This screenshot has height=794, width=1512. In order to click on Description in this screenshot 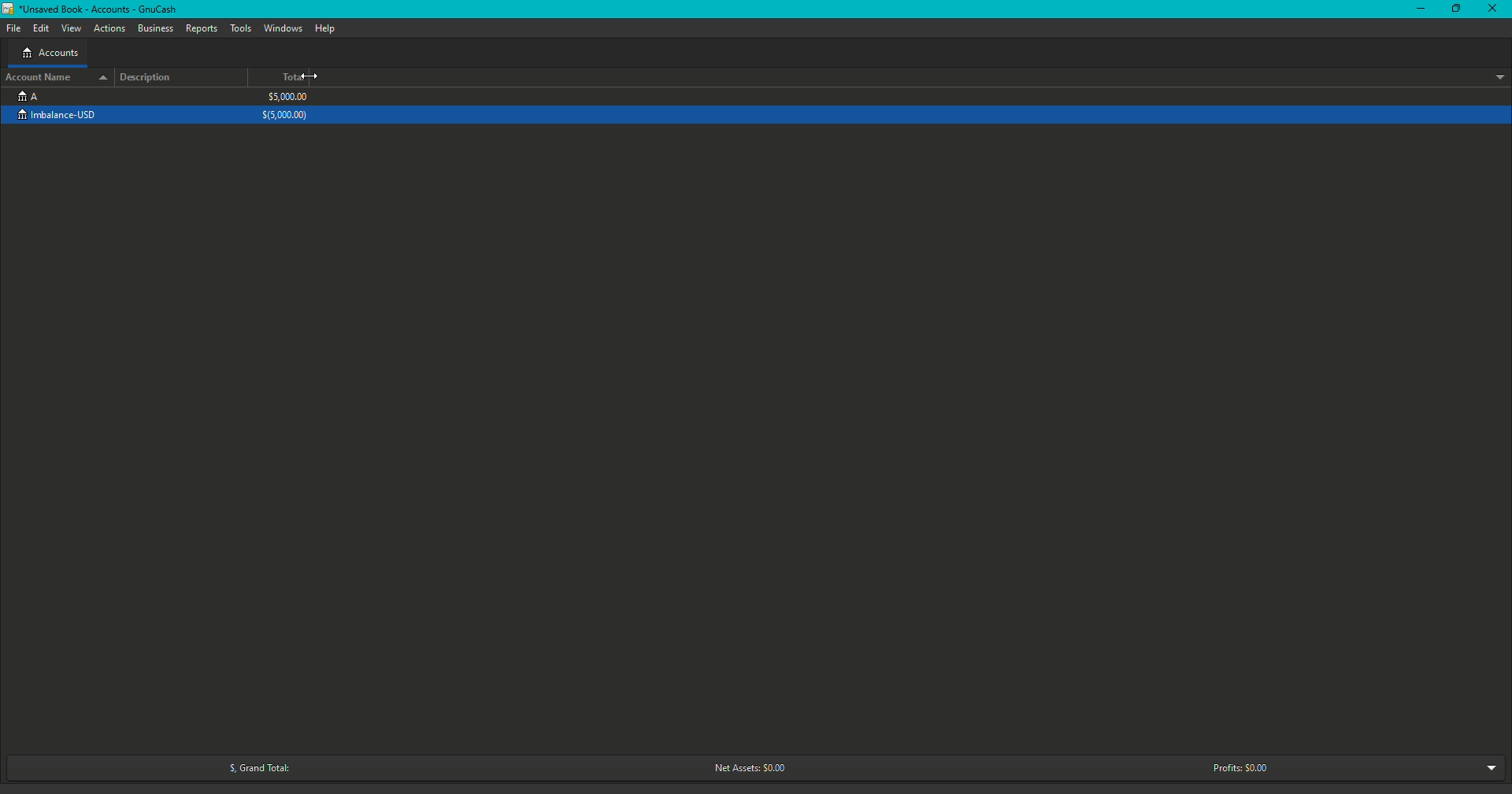, I will do `click(150, 77)`.